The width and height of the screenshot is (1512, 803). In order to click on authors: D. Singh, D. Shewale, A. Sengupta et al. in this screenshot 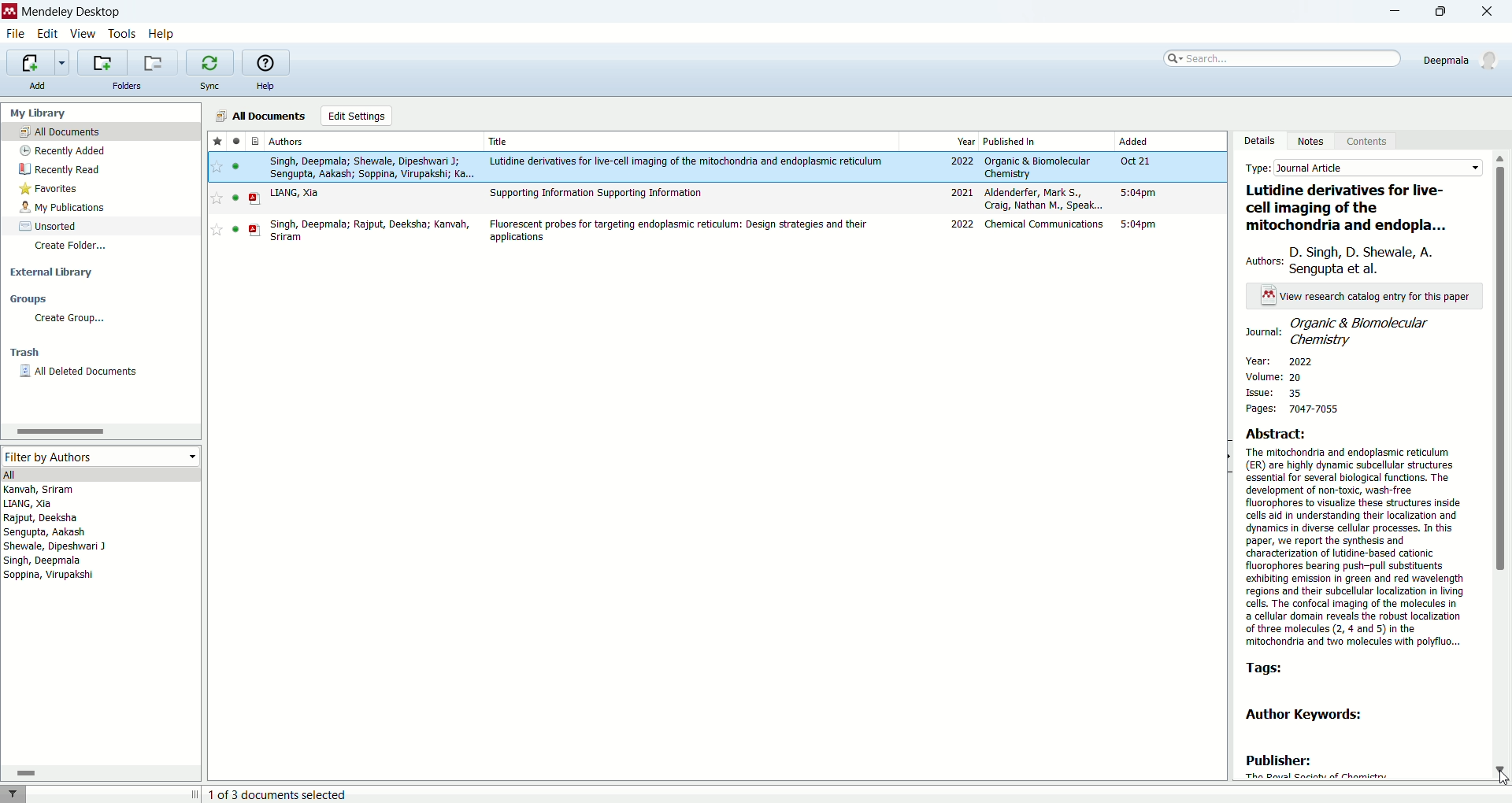, I will do `click(1360, 256)`.